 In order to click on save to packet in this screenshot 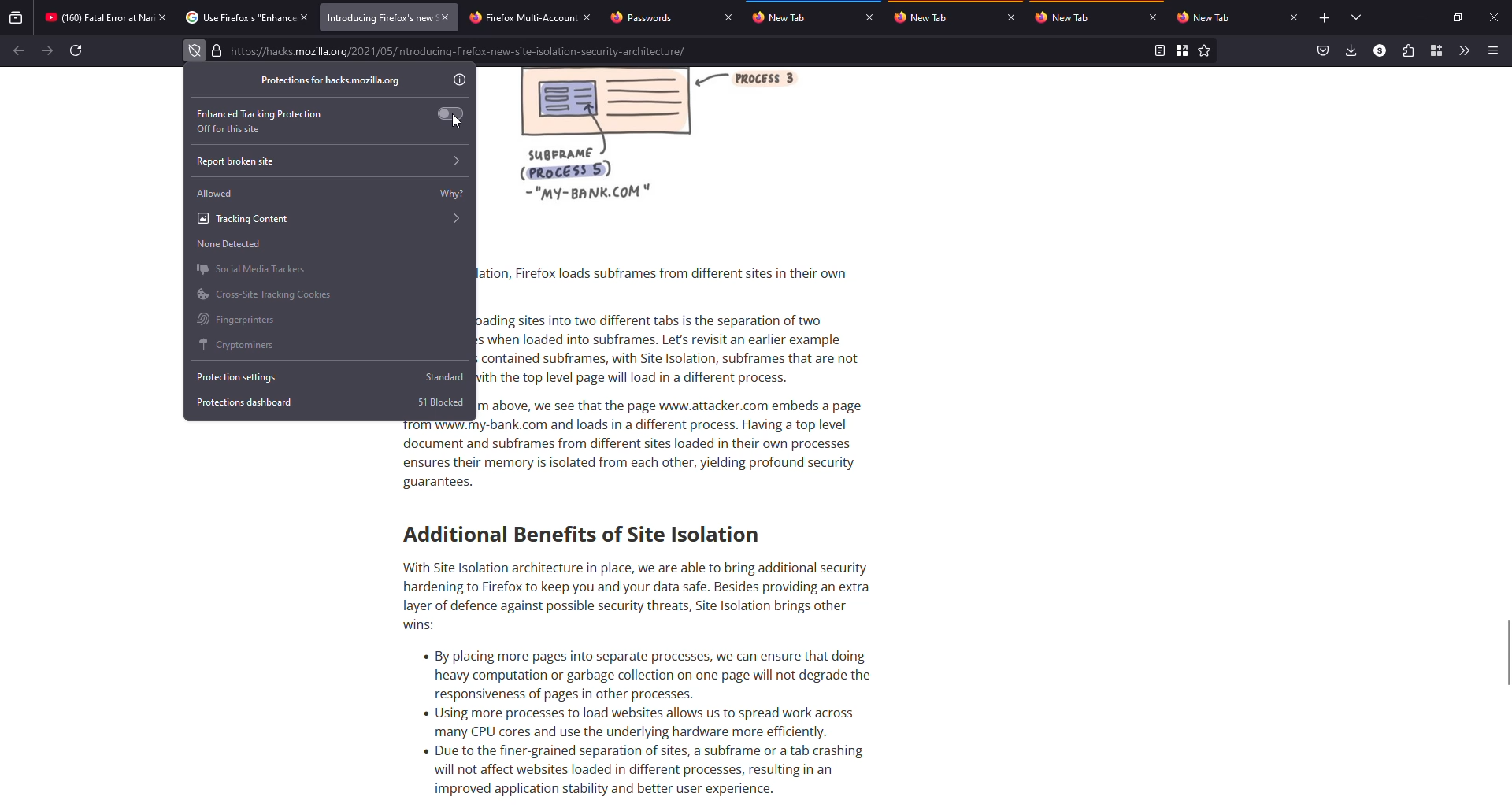, I will do `click(1321, 50)`.